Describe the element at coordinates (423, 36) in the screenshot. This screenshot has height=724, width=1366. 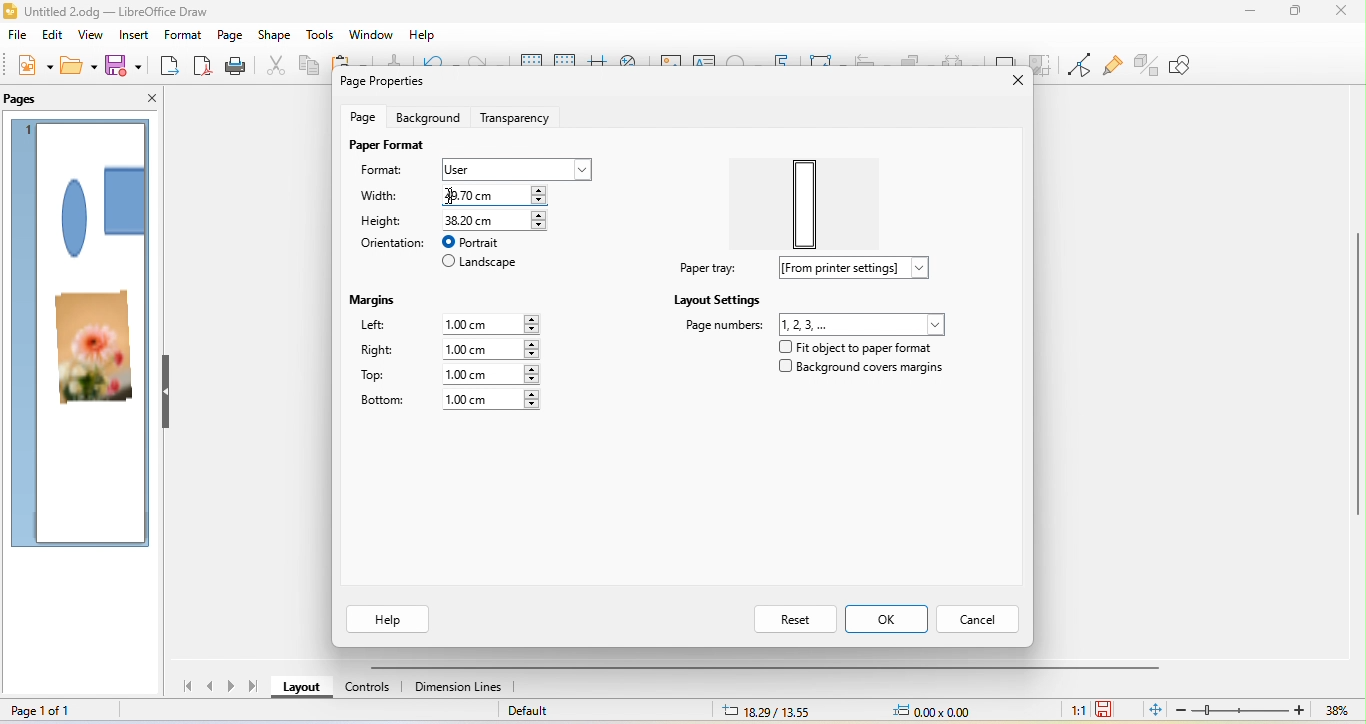
I see `help` at that location.